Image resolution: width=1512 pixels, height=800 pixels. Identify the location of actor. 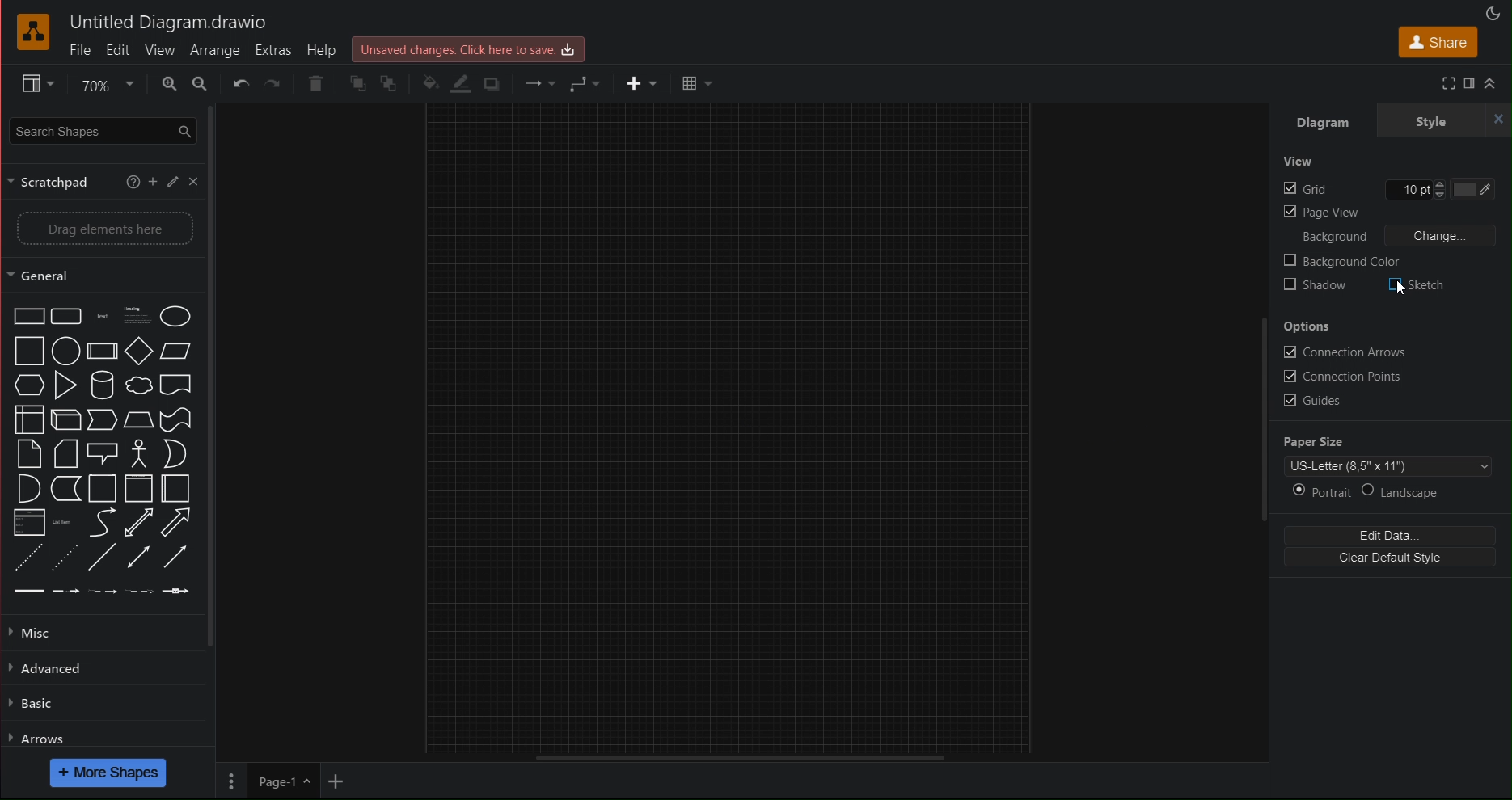
(139, 453).